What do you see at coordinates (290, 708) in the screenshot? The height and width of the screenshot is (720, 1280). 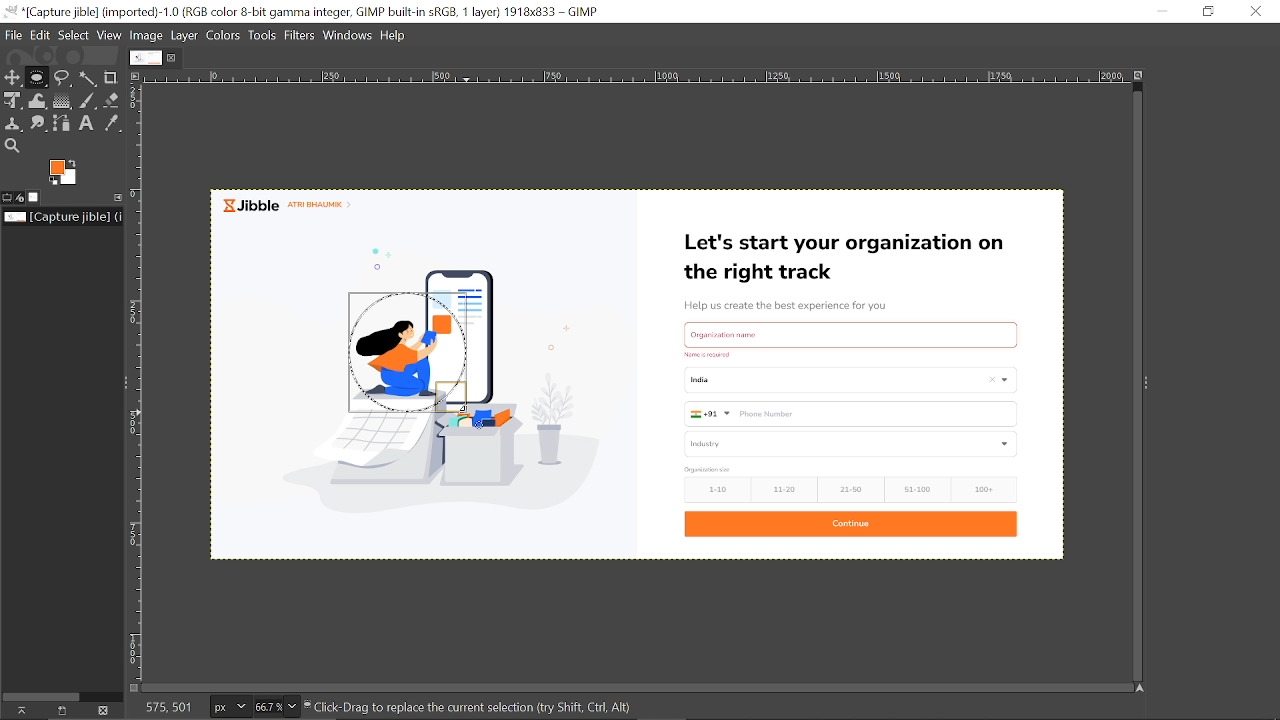 I see `Zoom options` at bounding box center [290, 708].